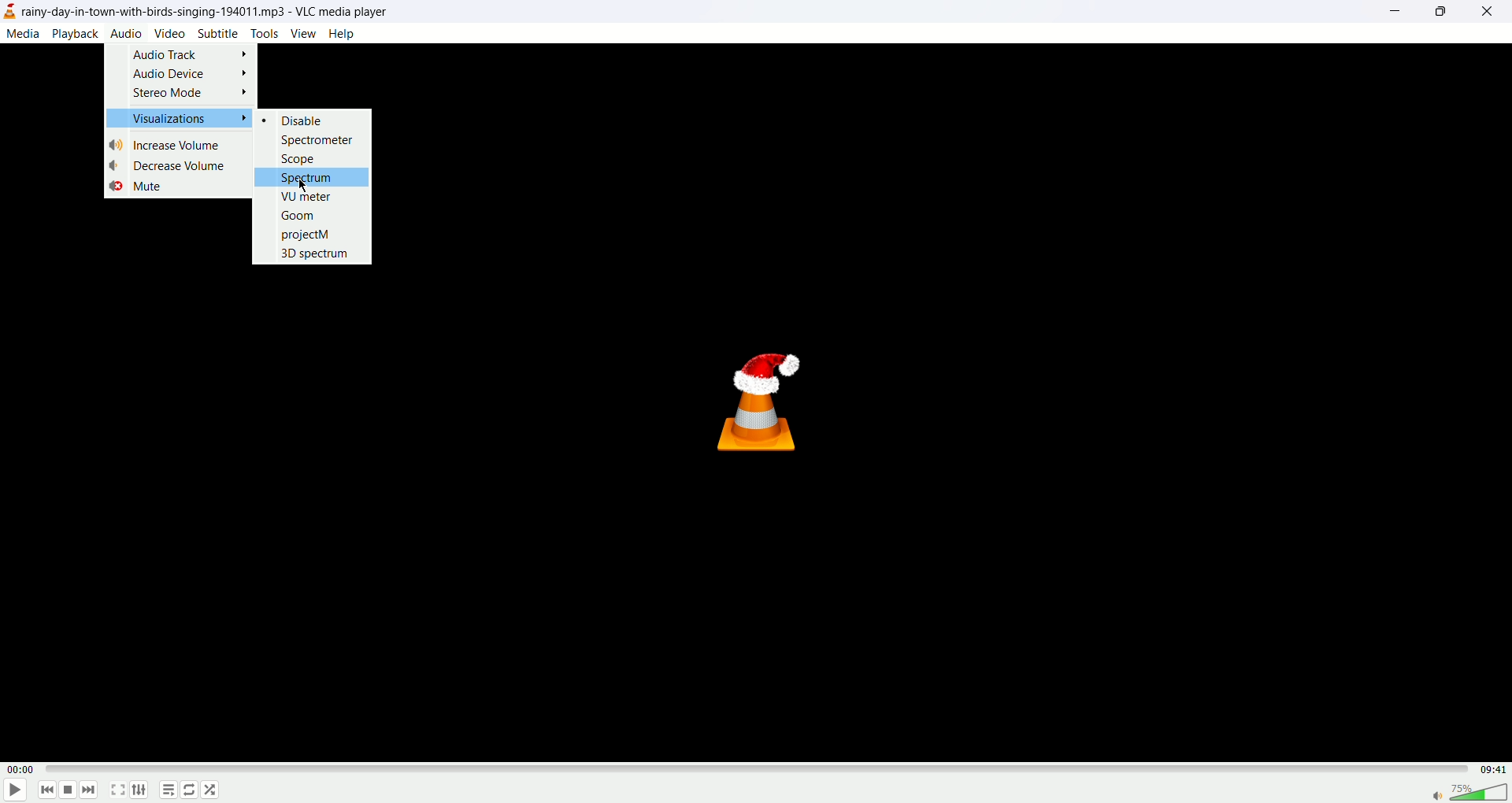 The width and height of the screenshot is (1512, 803). Describe the element at coordinates (309, 195) in the screenshot. I see `VU meter` at that location.